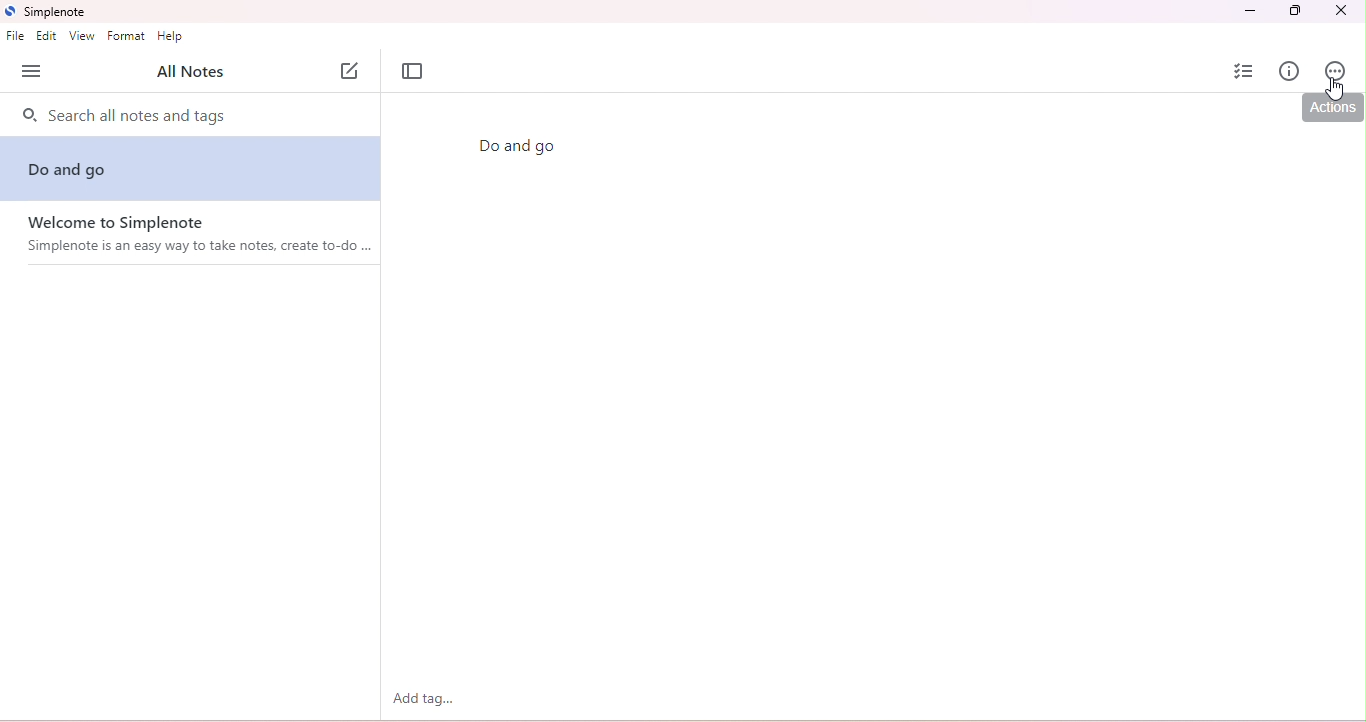 This screenshot has height=722, width=1366. I want to click on help, so click(172, 38).